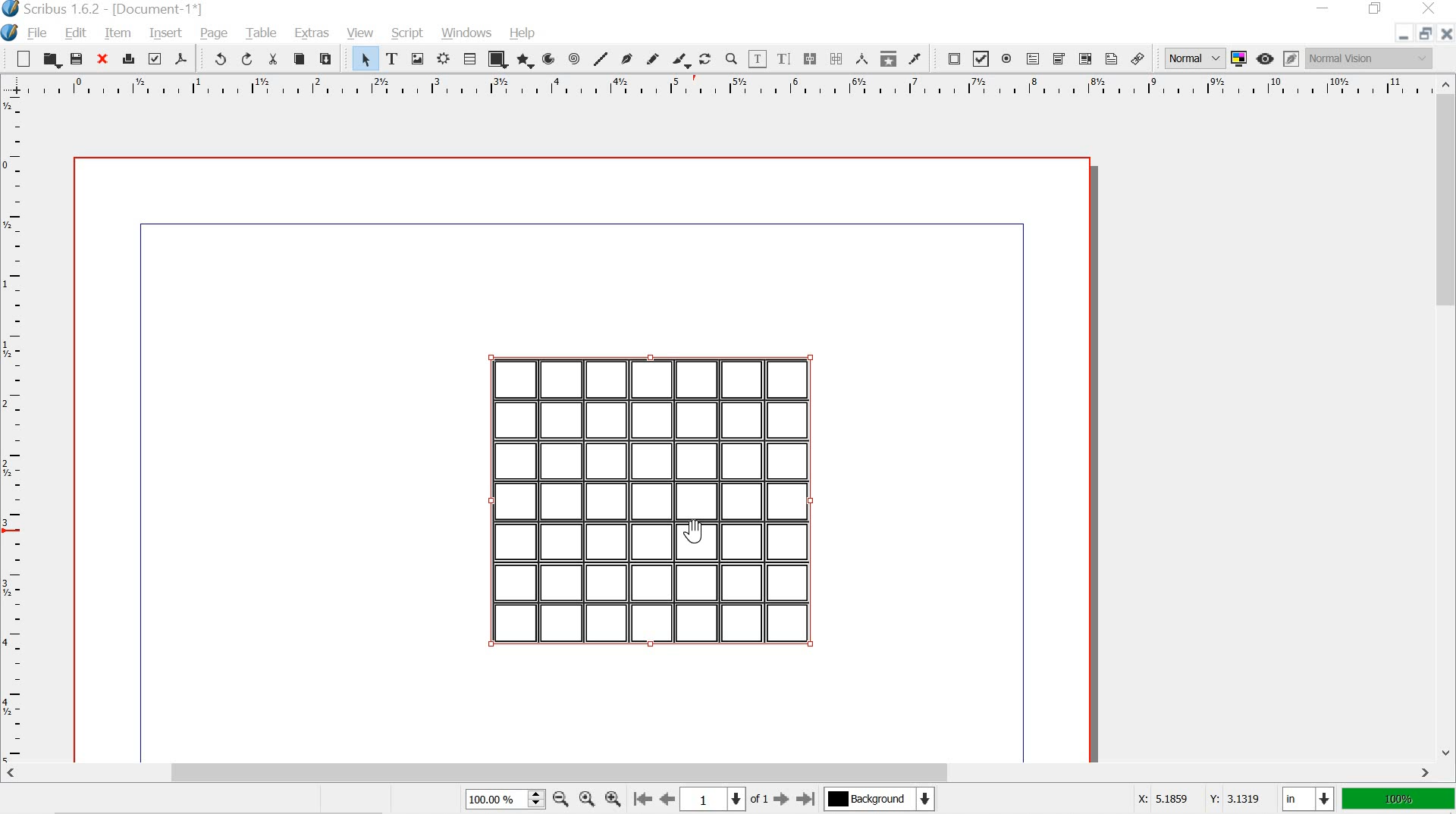 The width and height of the screenshot is (1456, 814). What do you see at coordinates (365, 60) in the screenshot?
I see `select item` at bounding box center [365, 60].